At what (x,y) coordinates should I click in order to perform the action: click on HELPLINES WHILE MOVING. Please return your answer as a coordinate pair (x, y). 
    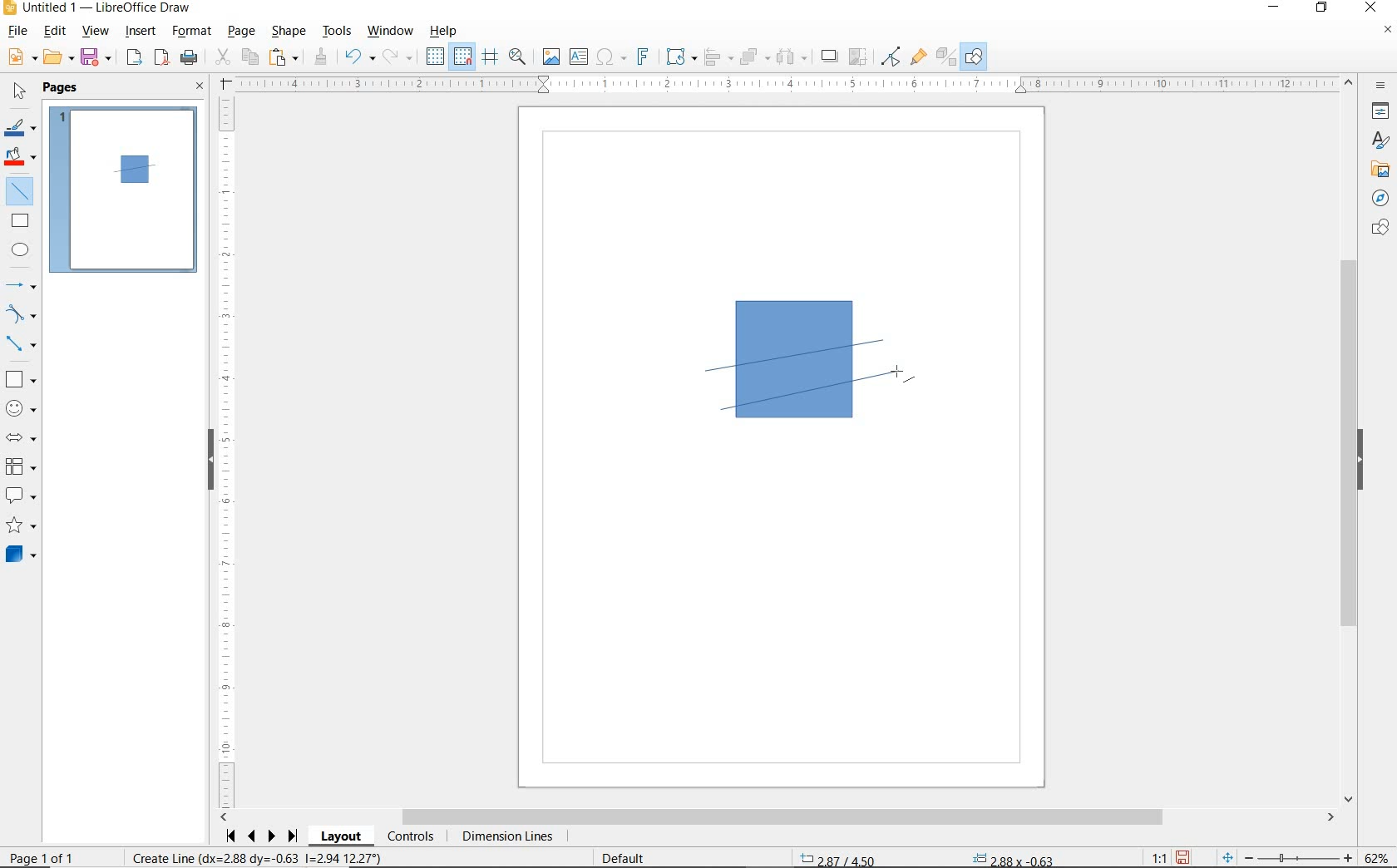
    Looking at the image, I should click on (493, 59).